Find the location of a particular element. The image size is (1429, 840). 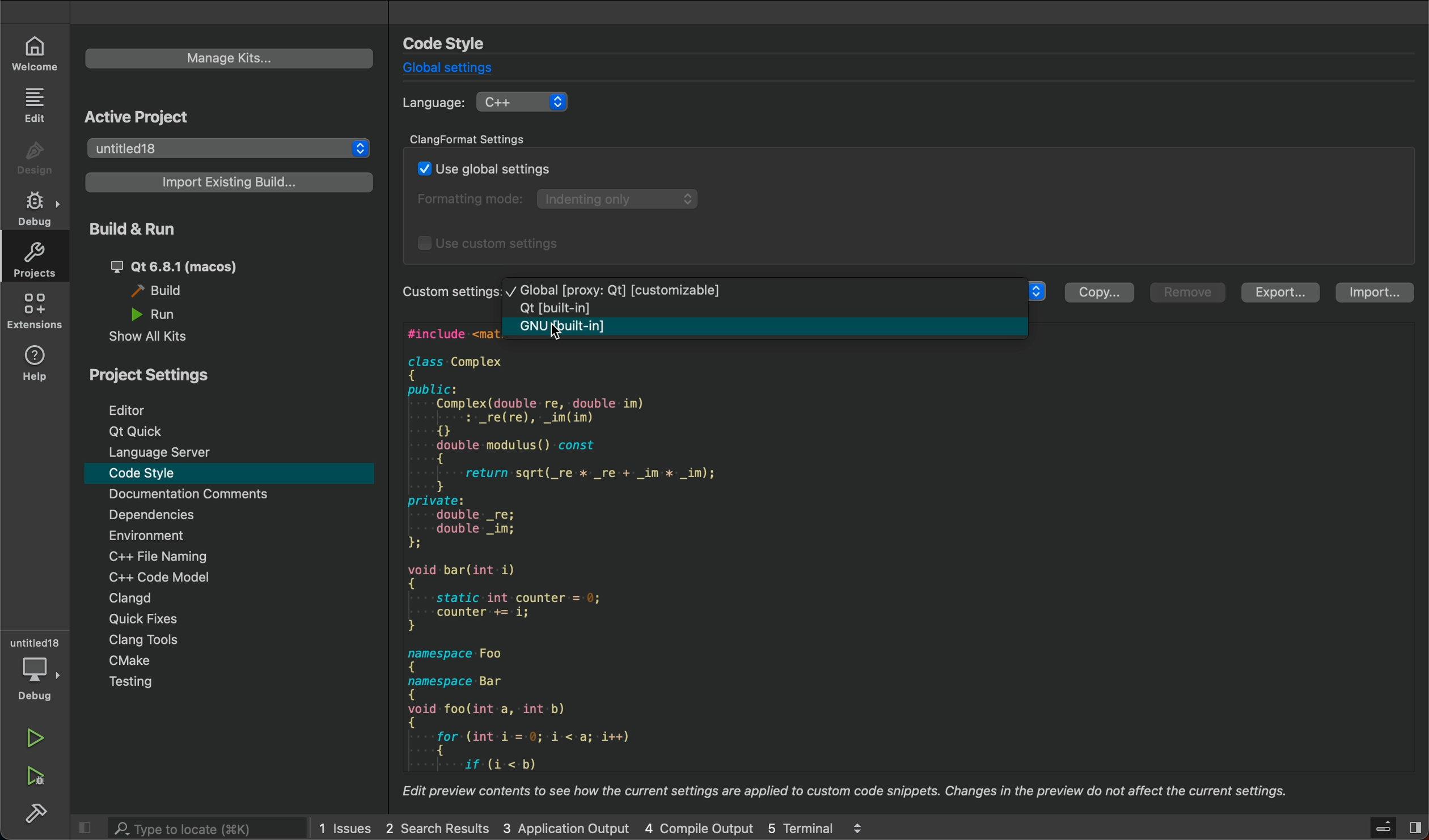

Formatting mode: is located at coordinates (473, 198).